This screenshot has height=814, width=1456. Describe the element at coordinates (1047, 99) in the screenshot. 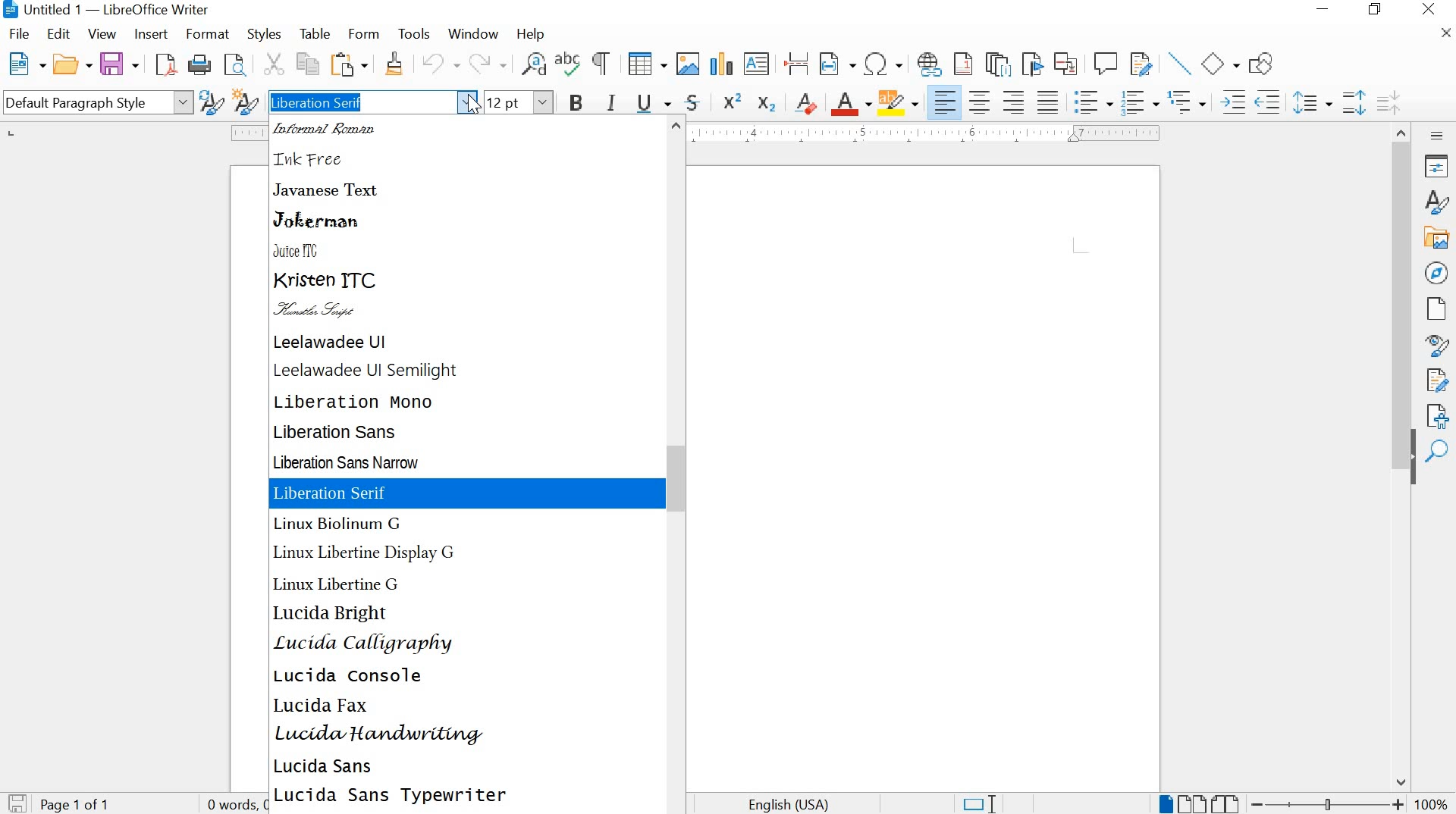

I see `JUSTIFIED` at that location.